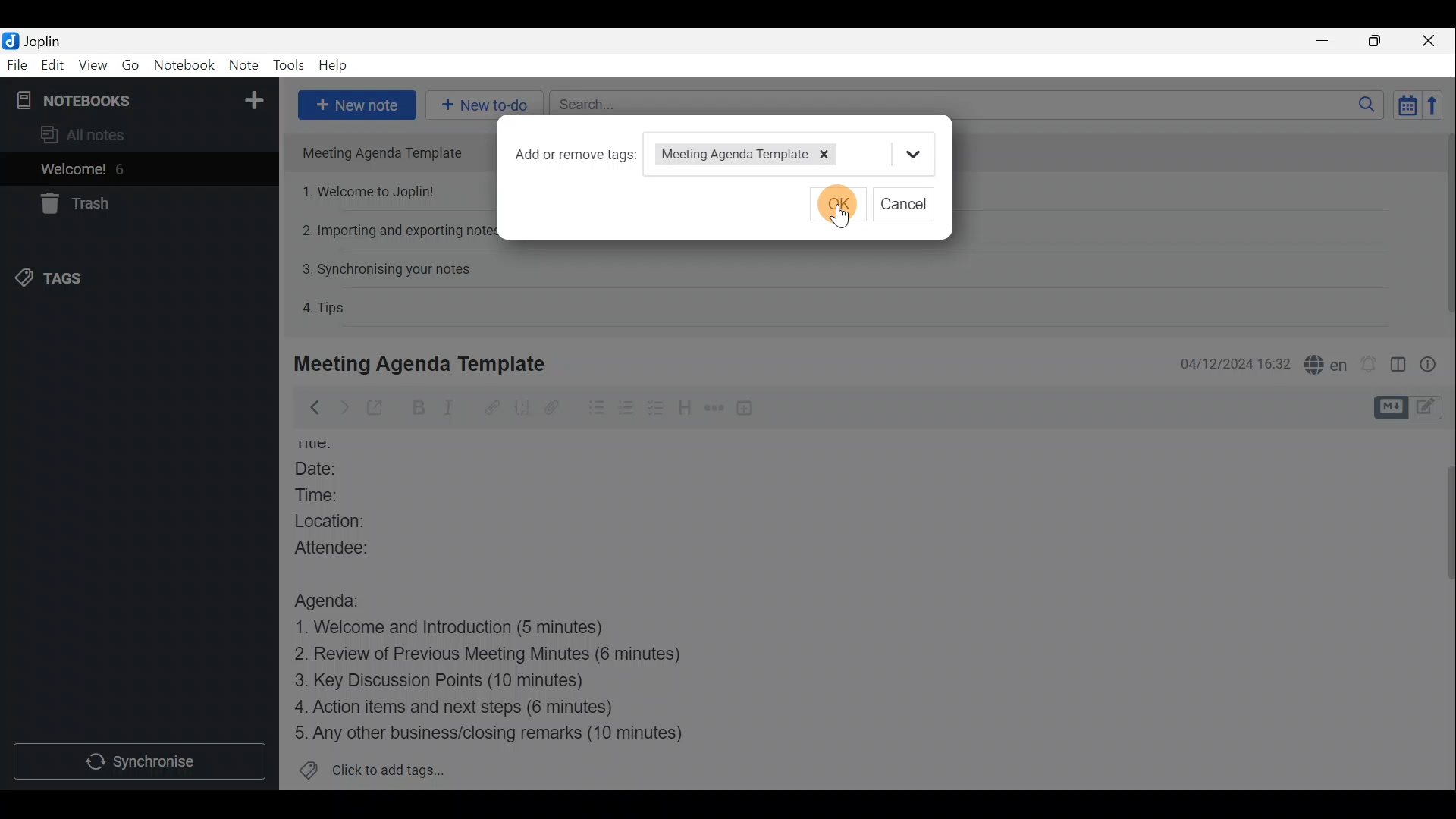 The image size is (1456, 819). I want to click on Numbered list, so click(626, 410).